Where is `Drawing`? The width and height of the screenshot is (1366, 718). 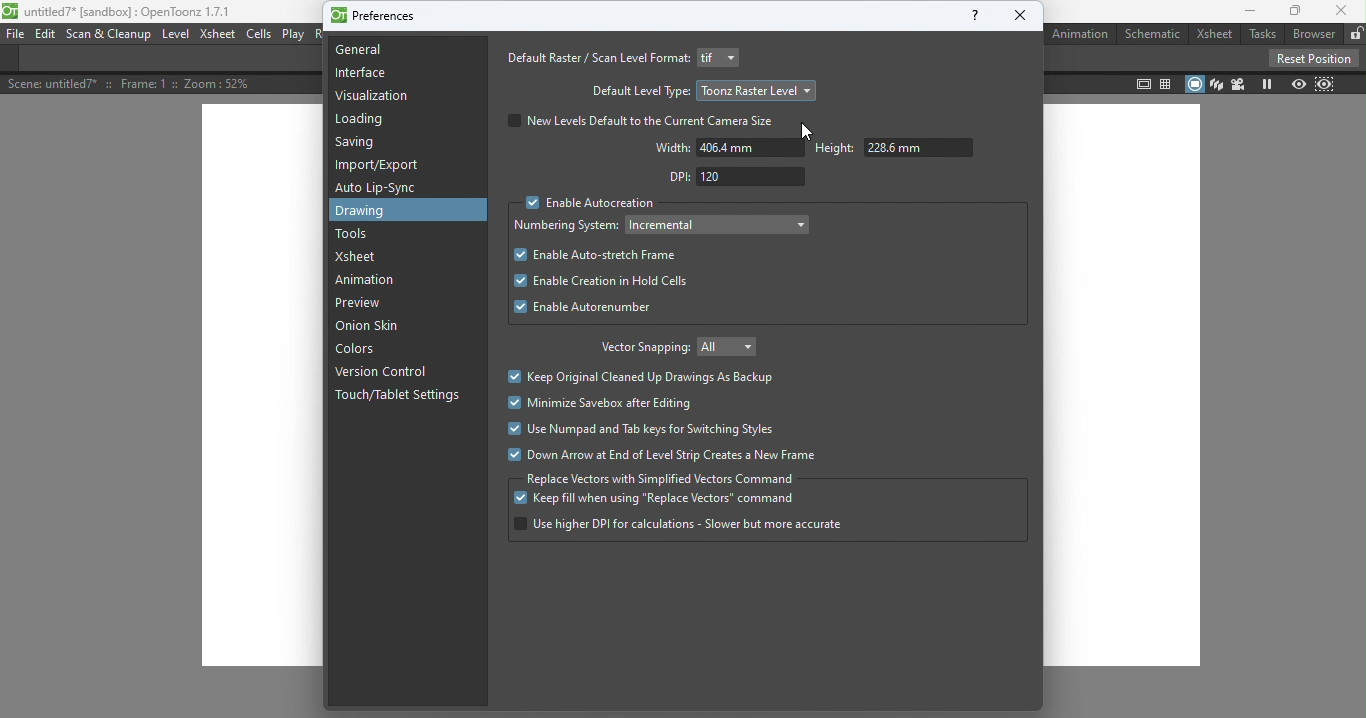 Drawing is located at coordinates (386, 212).